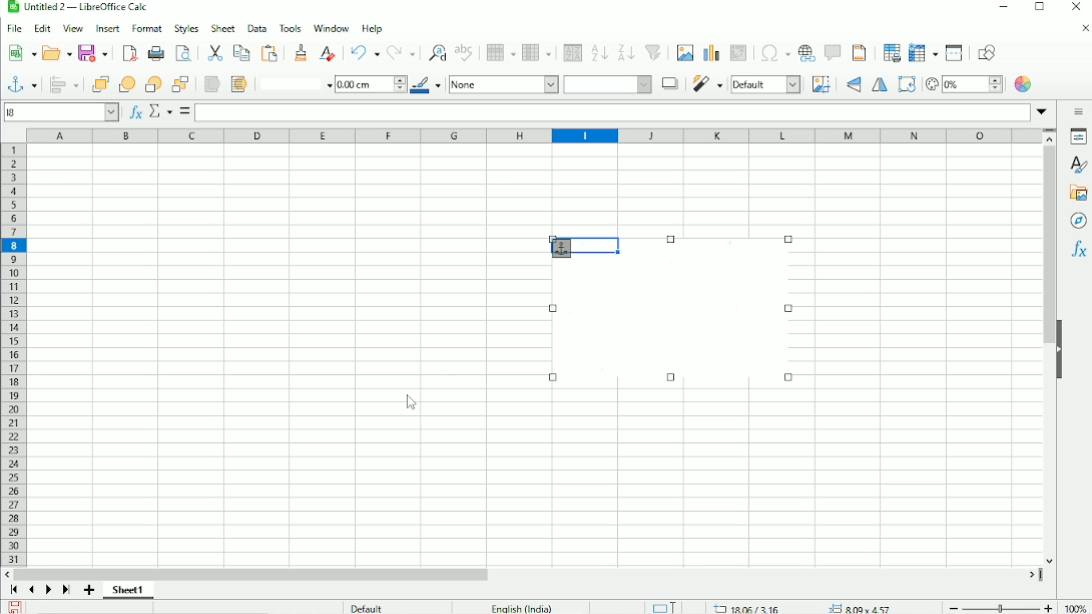 The width and height of the screenshot is (1092, 614). I want to click on Insert or edit pivot table, so click(738, 53).